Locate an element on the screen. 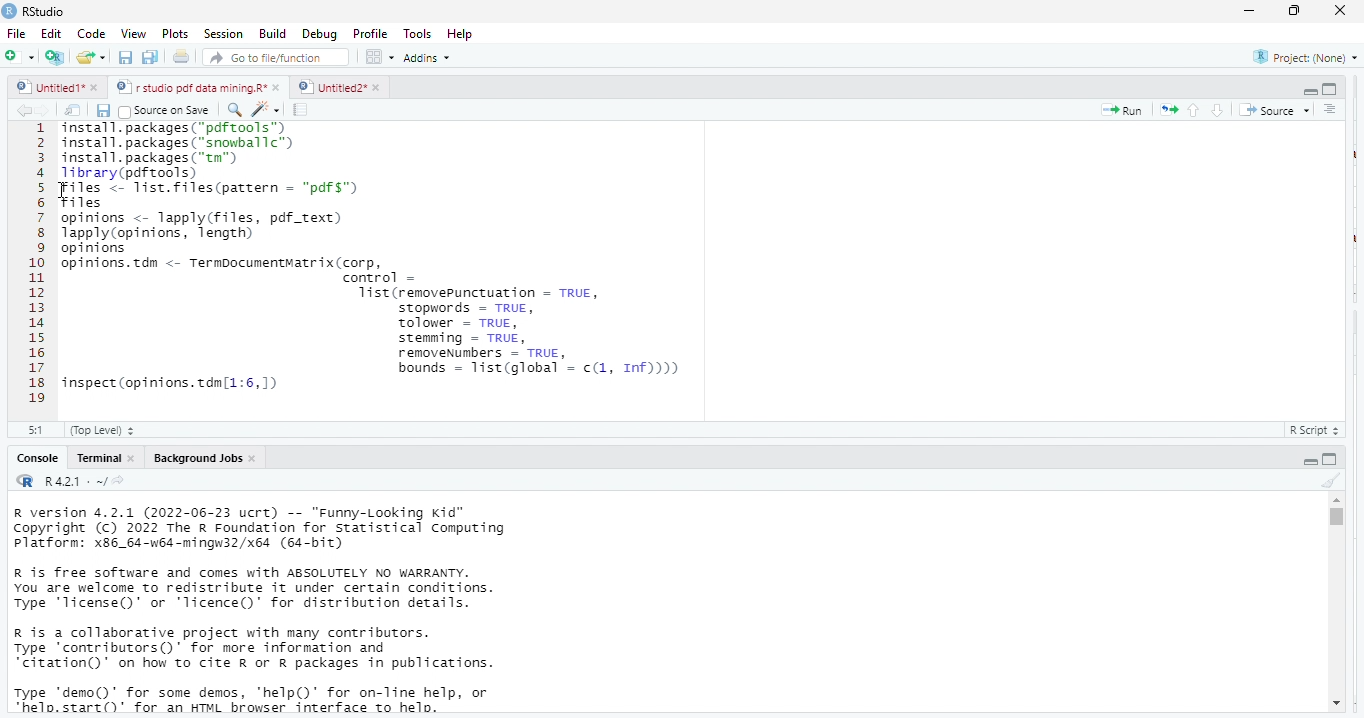  R version 4.2.1 (2022-06-23 ucrt) -- "Funny-Looking Kid™
Copyright (C) 2022 The R Foundation for Statistical Computing
Platform: x86_64-w64-mingw32/x64 (64-bit)

R is free software and comes with ABSOLUTELY NO WARRANTY.
You are welcome to redistribute it under certain conditions.
Type 'Ticense()' or 'licence()’ for distribution details.

R is a collaborative project with many contributors.

Type ‘contributors()’ for more information and

“citation()’ on how to cite R or R packages in publications.
Type "demo()’ for some demos, 'help()' for on-line help, or
"helo.start()" for an HTML browser interface to helo. is located at coordinates (291, 611).